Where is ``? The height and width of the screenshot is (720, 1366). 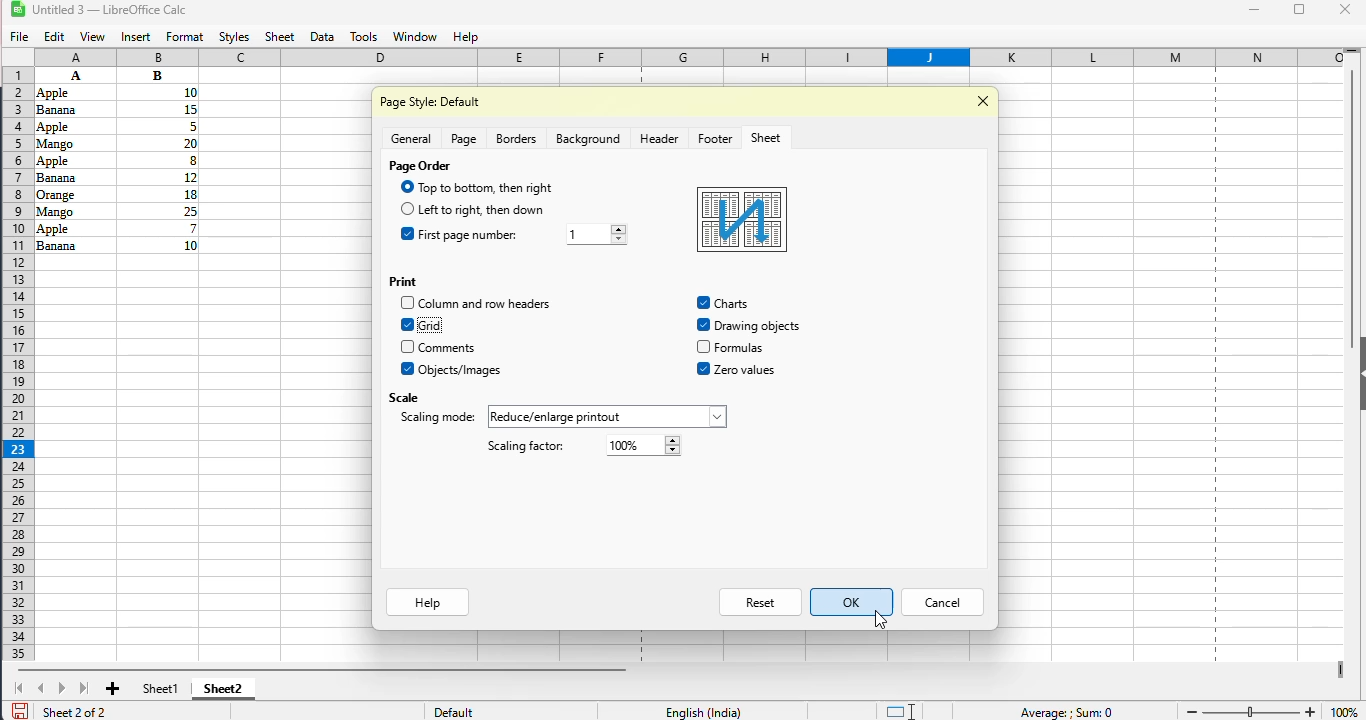  is located at coordinates (74, 126).